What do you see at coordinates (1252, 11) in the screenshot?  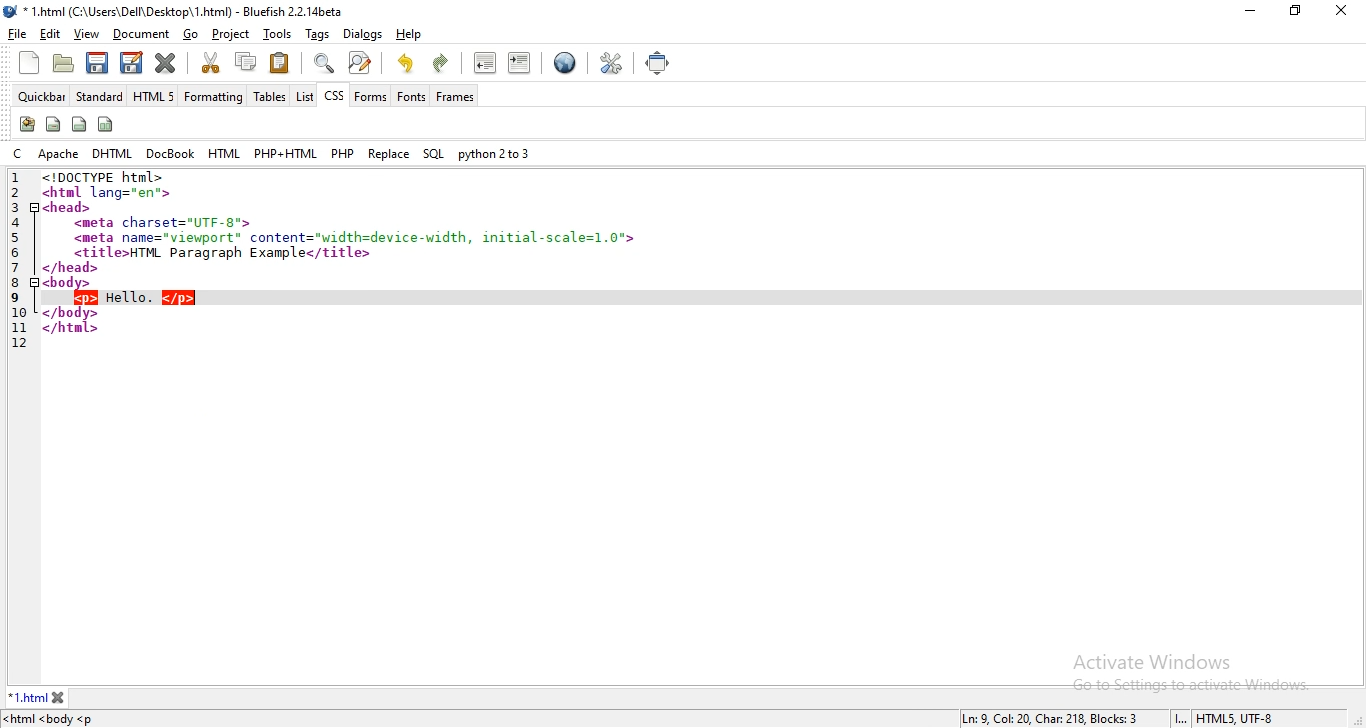 I see `minimize` at bounding box center [1252, 11].